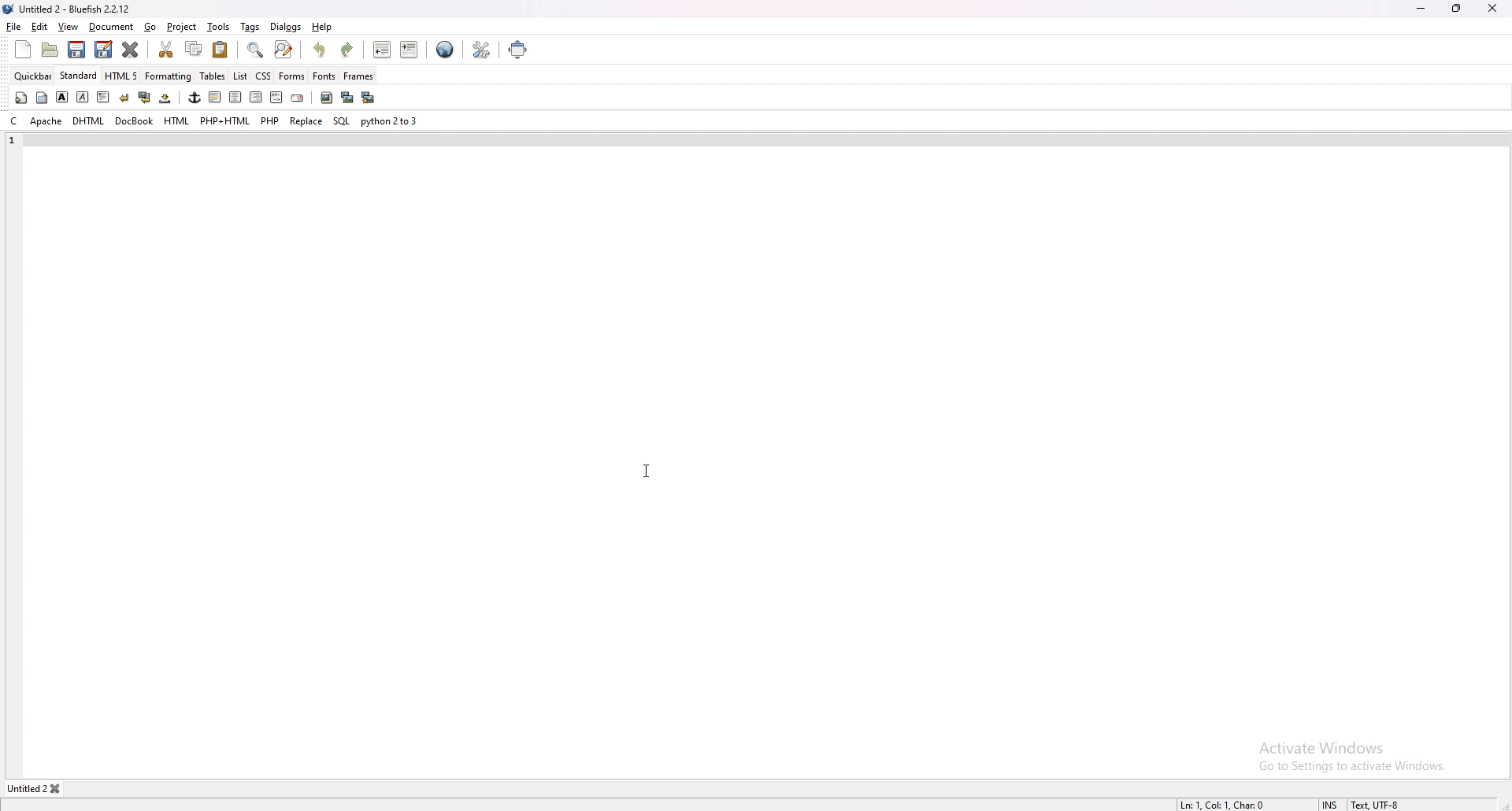 This screenshot has height=811, width=1512. I want to click on cursor mode, so click(1332, 802).